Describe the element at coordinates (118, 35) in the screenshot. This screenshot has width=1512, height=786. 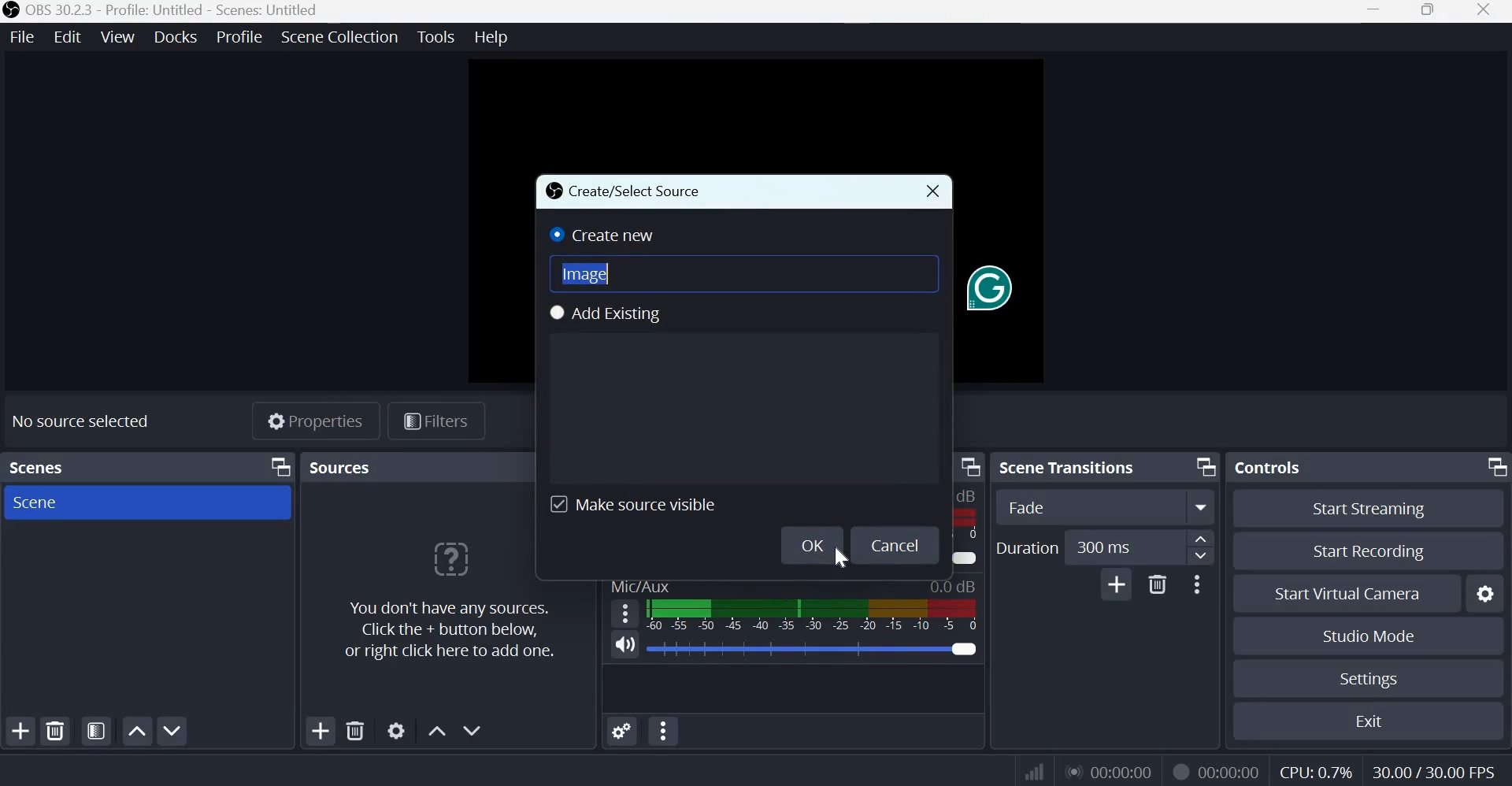
I see `view` at that location.